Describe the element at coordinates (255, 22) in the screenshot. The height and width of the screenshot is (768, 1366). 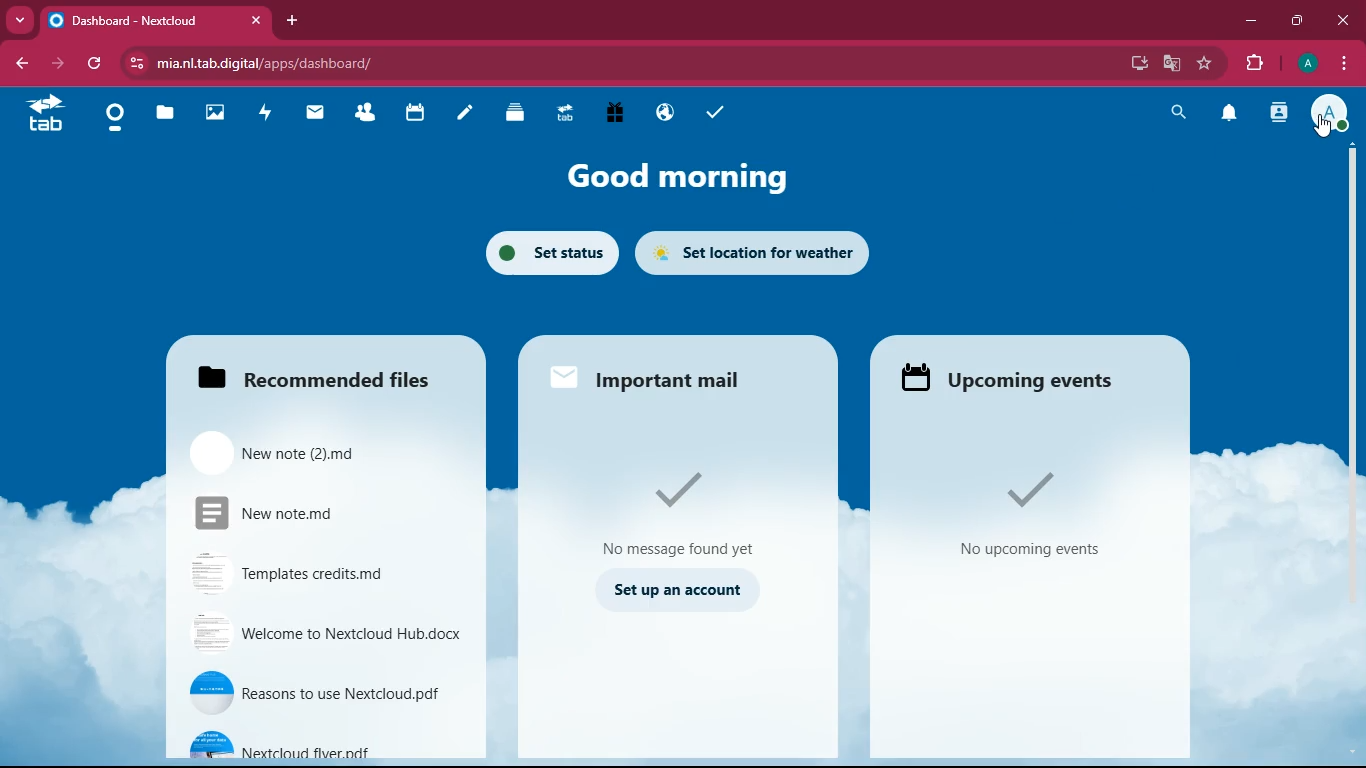
I see `close` at that location.